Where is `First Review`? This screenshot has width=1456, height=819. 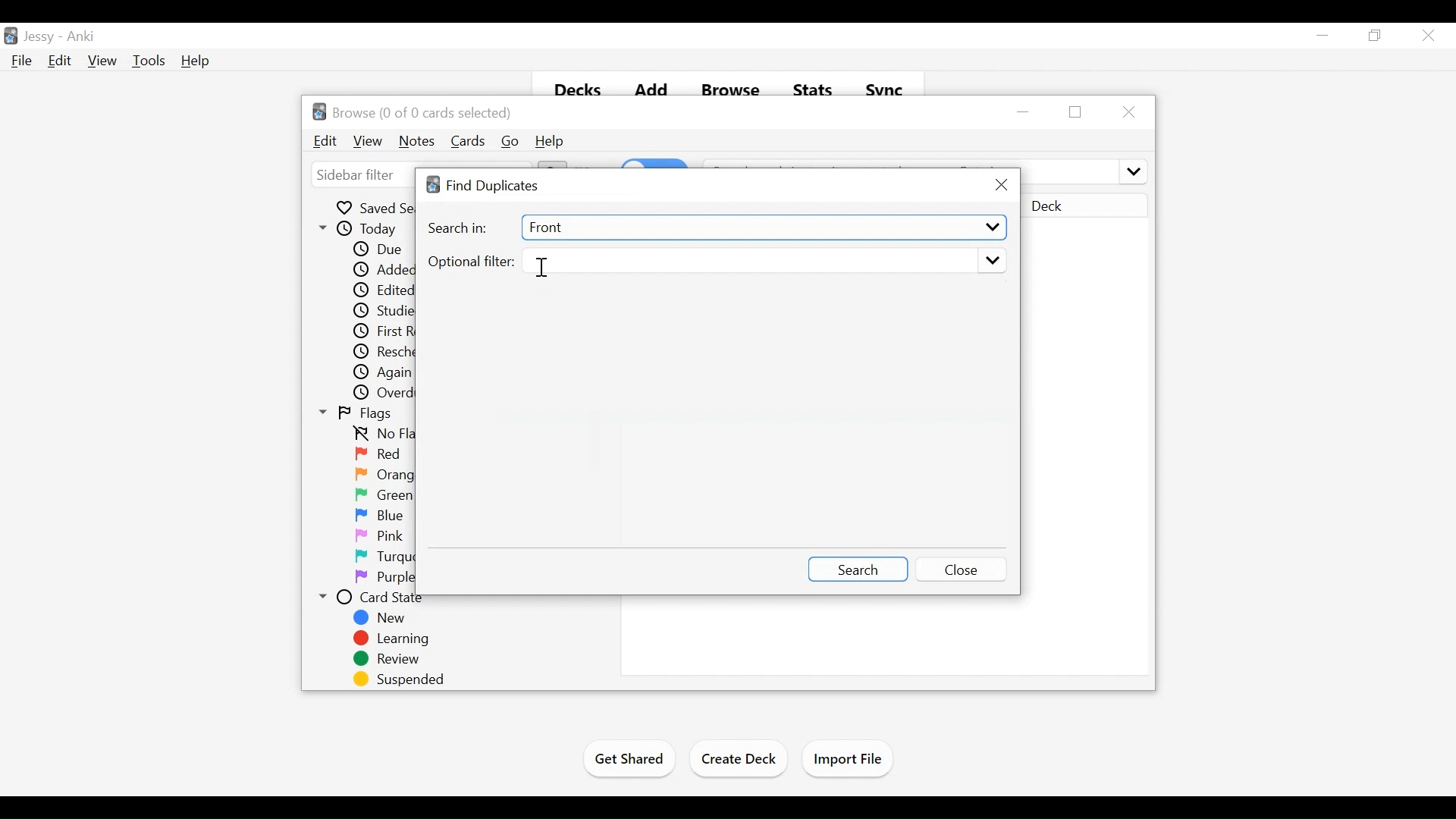
First Review is located at coordinates (383, 331).